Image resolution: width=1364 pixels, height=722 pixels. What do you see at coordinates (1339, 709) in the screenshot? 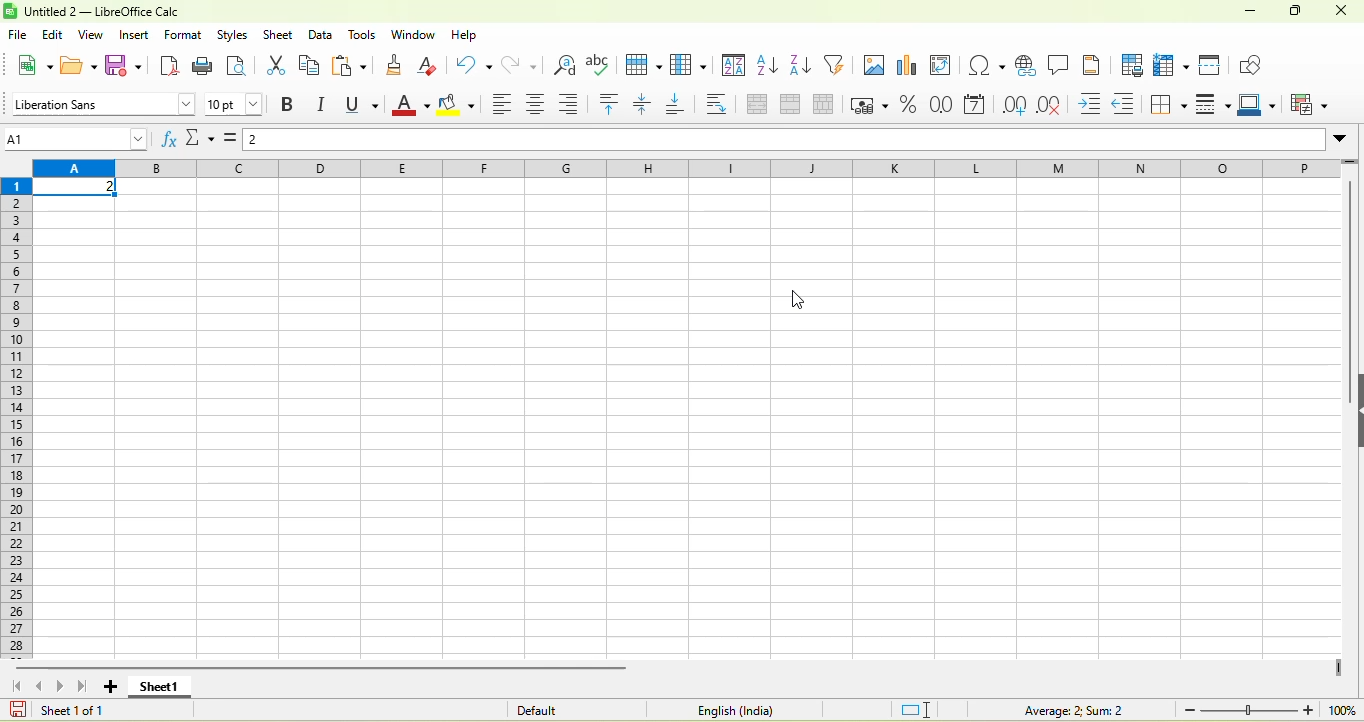
I see `100%` at bounding box center [1339, 709].